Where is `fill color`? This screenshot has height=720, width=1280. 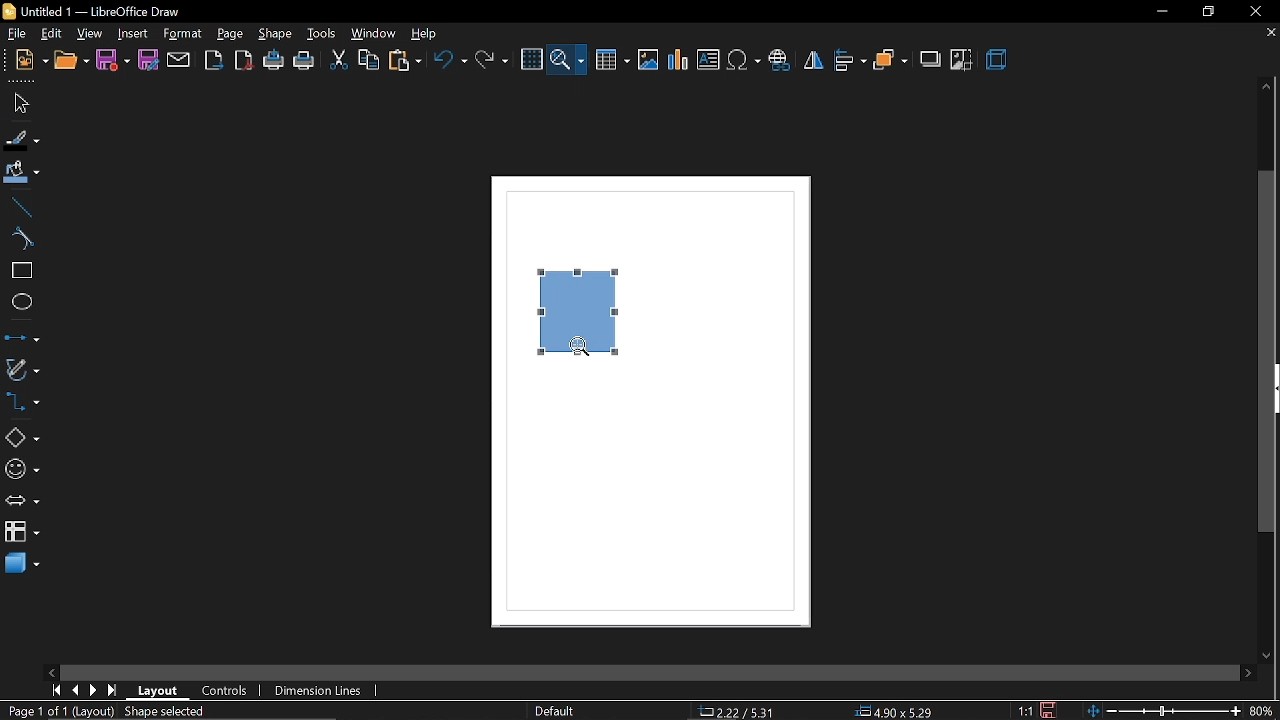
fill color is located at coordinates (21, 171).